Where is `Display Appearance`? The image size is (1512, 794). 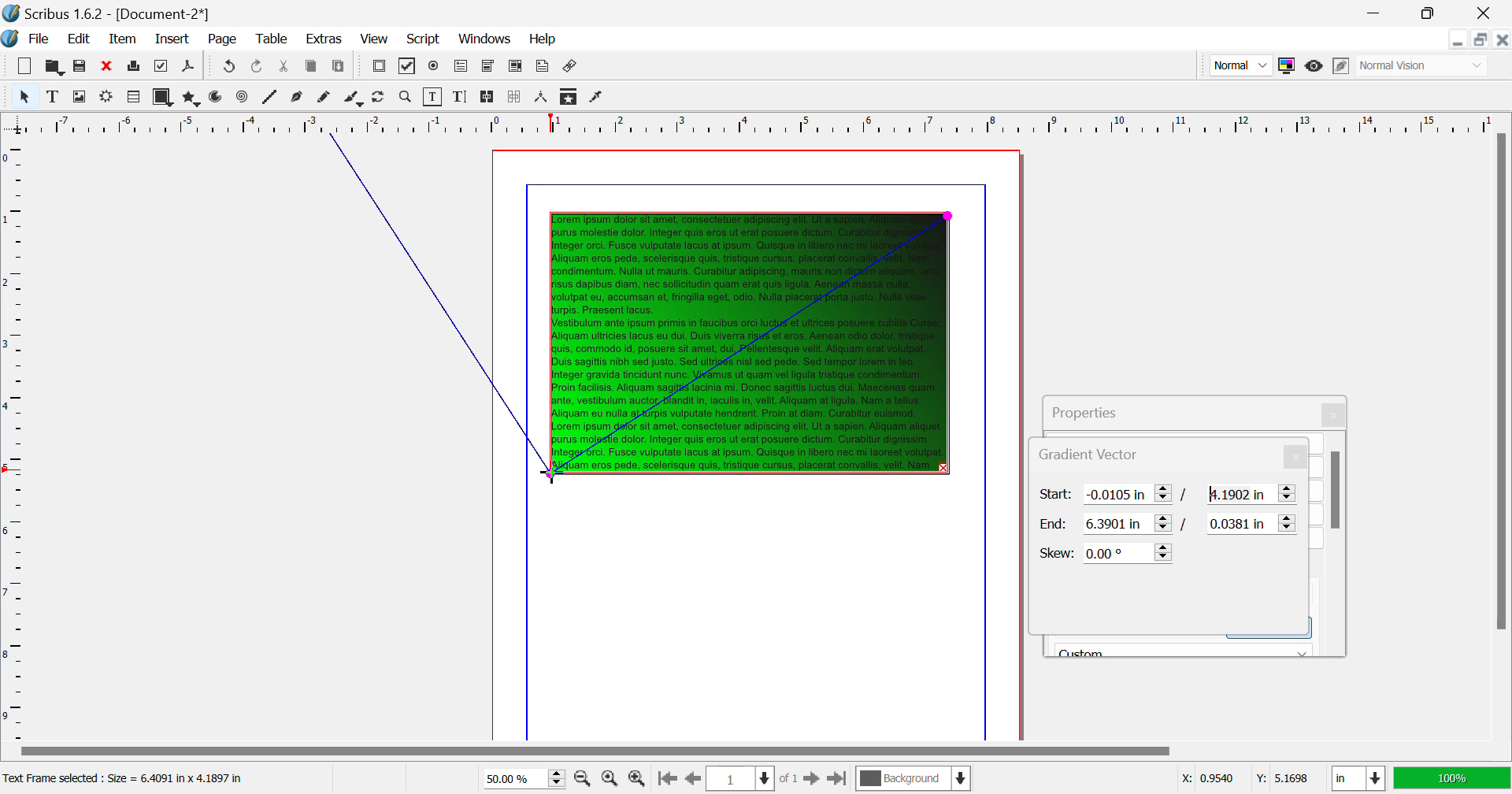
Display Appearance is located at coordinates (1452, 778).